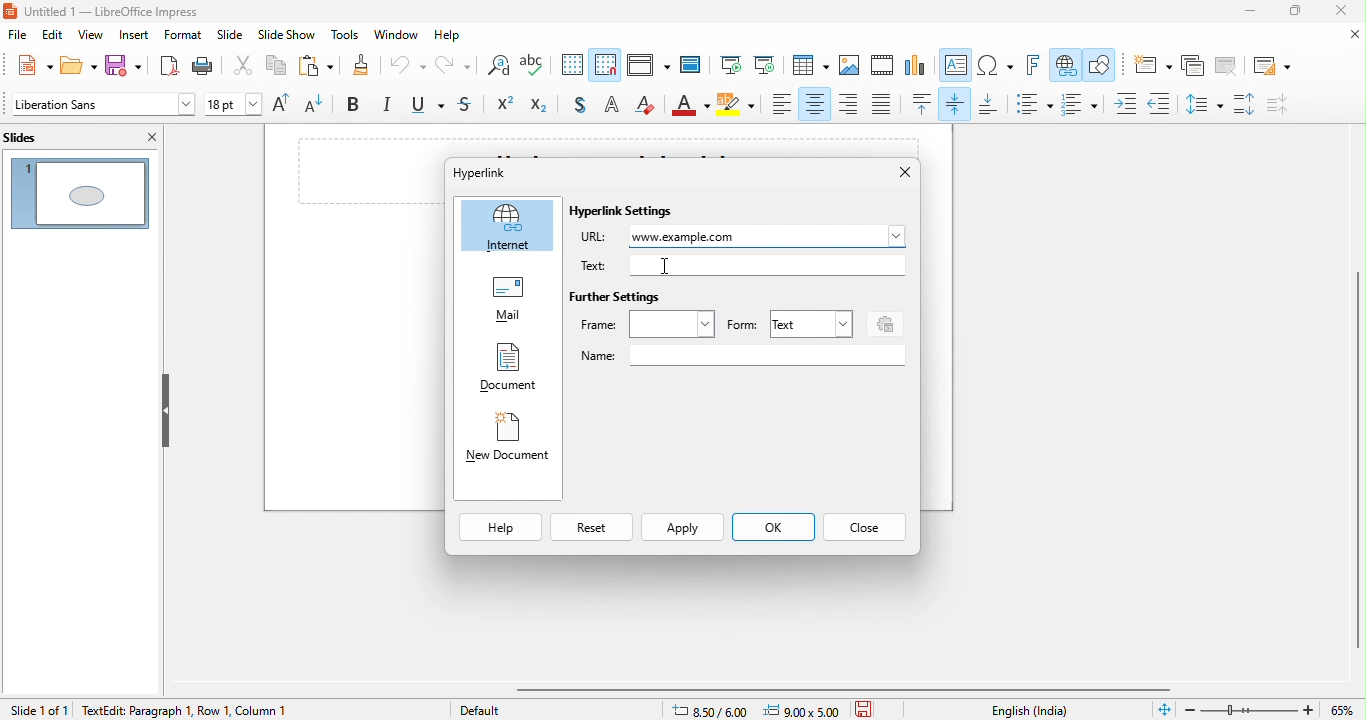  I want to click on increase paragraph spacing, so click(1247, 105).